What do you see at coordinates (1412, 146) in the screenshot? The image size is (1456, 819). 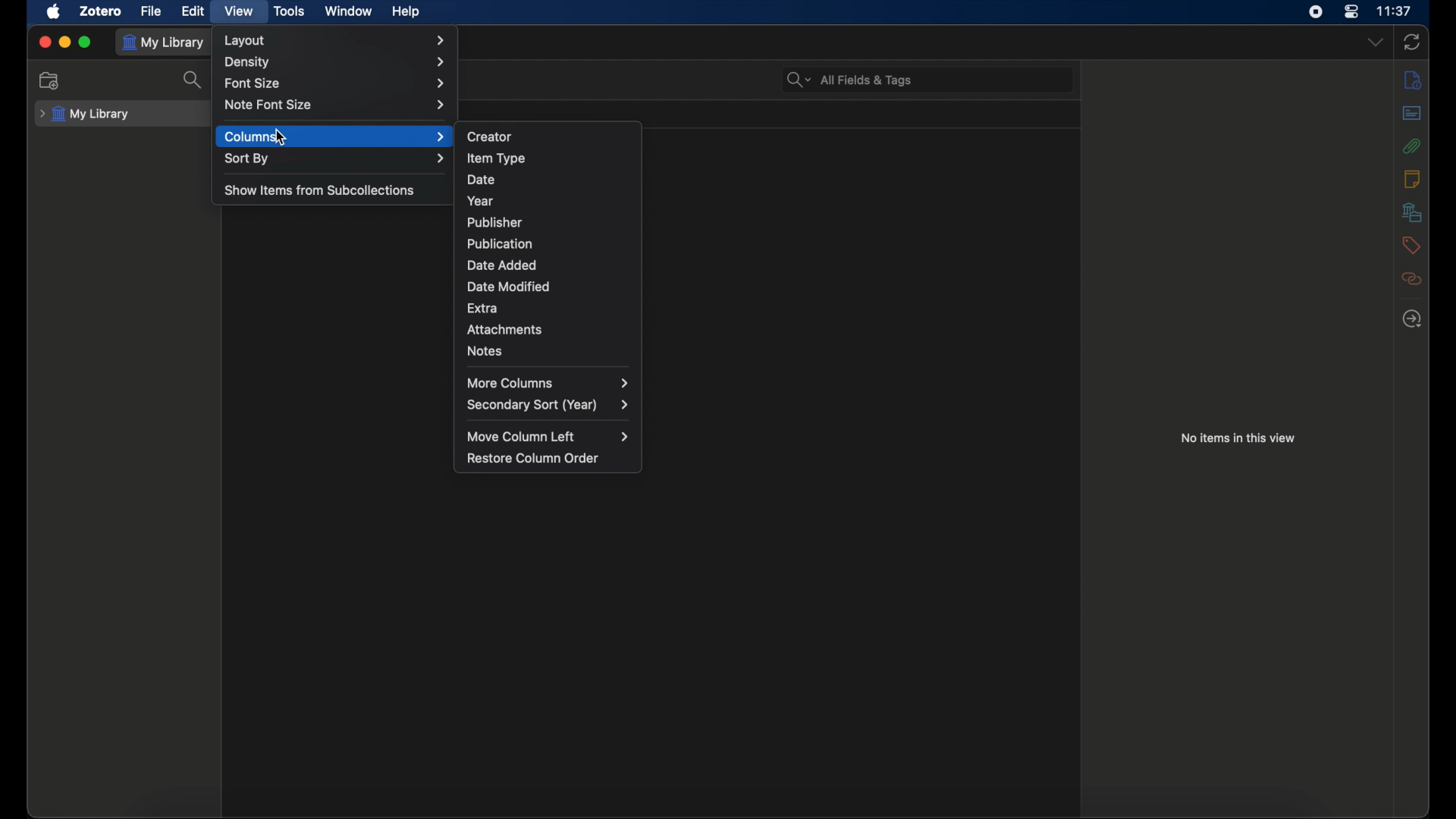 I see `attachments` at bounding box center [1412, 146].